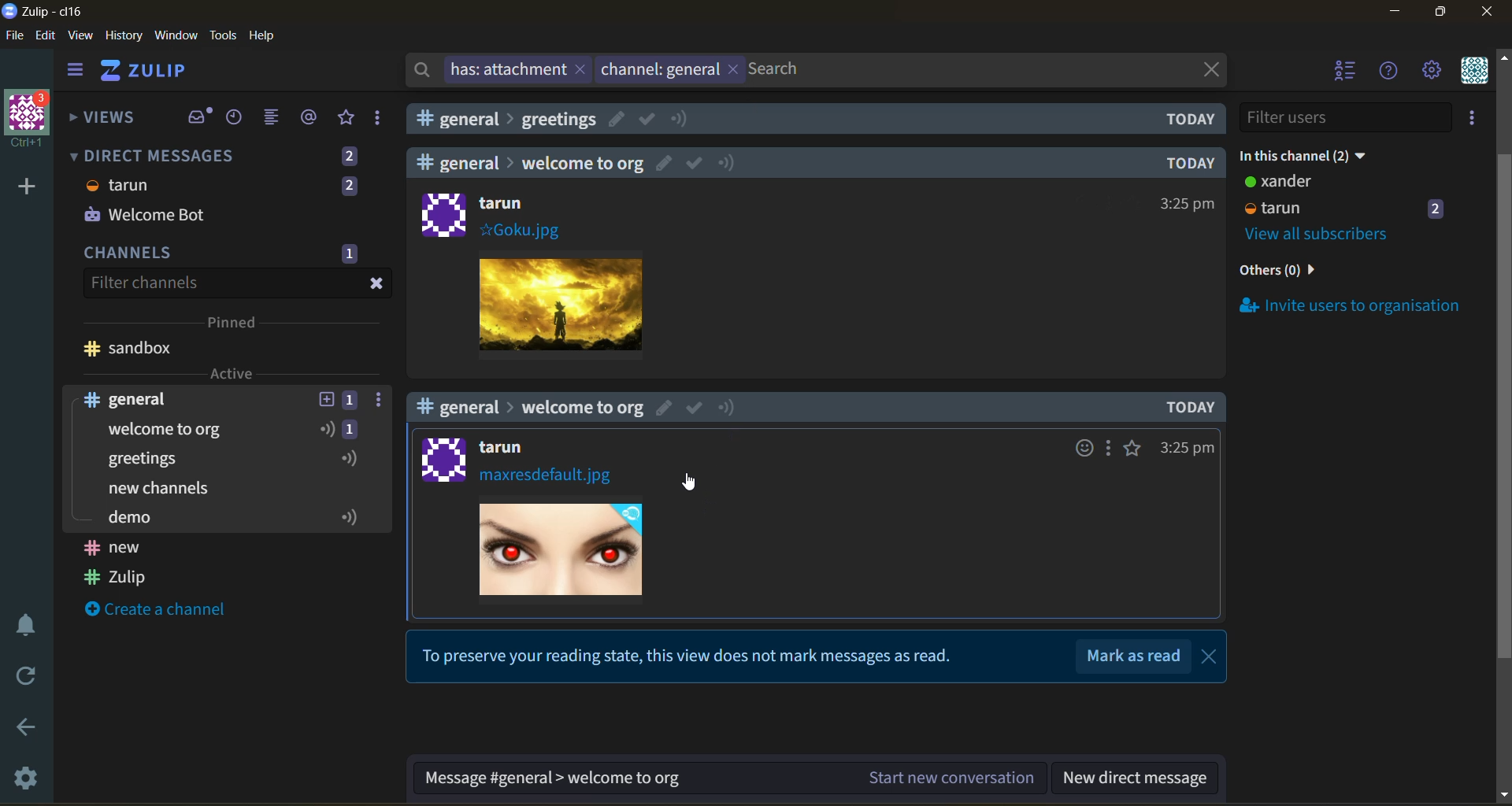 The image size is (1512, 806). What do you see at coordinates (31, 121) in the screenshot?
I see `organisation  Ctrl+1` at bounding box center [31, 121].